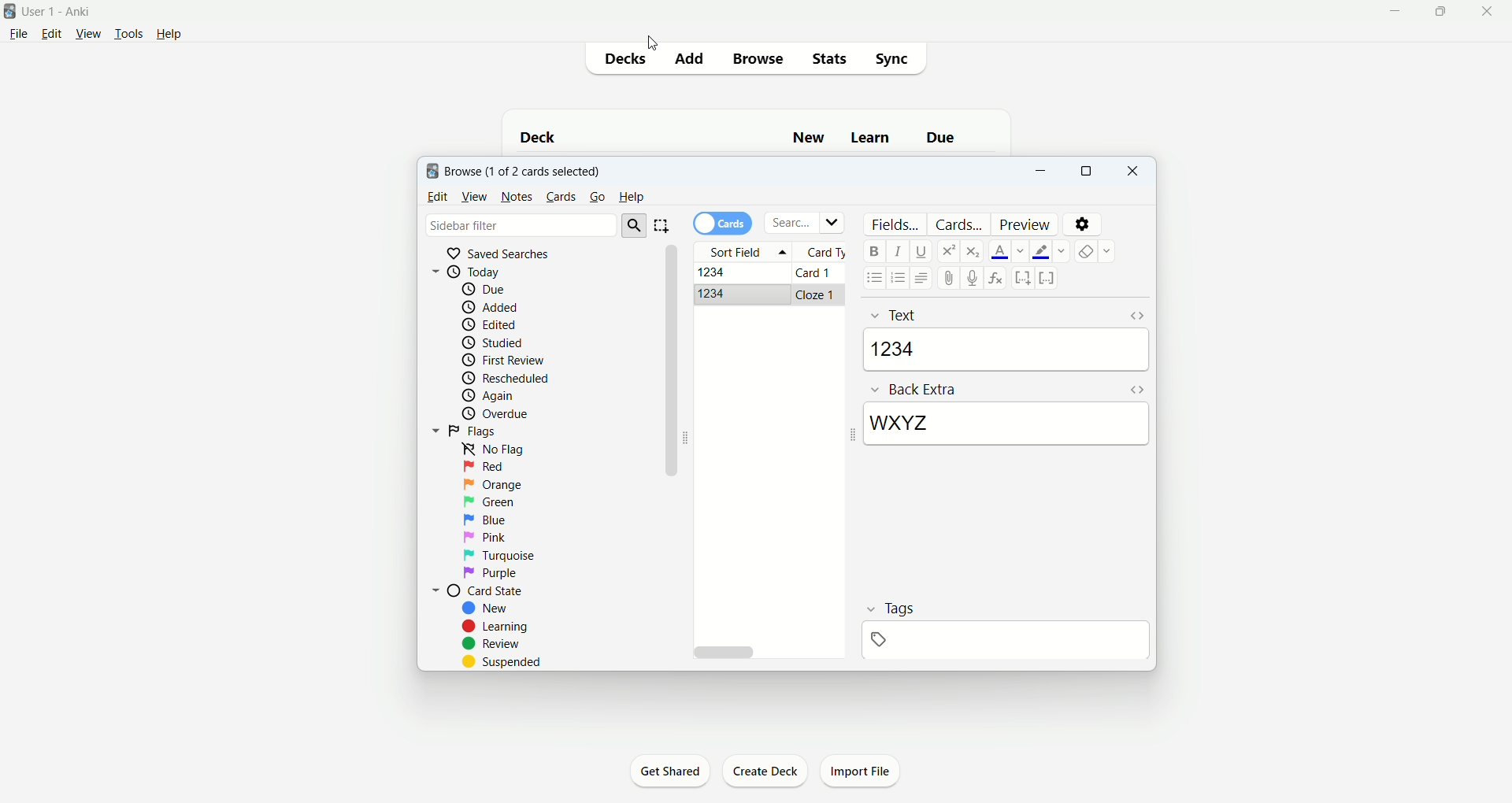 This screenshot has width=1512, height=803. Describe the element at coordinates (1138, 314) in the screenshot. I see `HTML editor` at that location.